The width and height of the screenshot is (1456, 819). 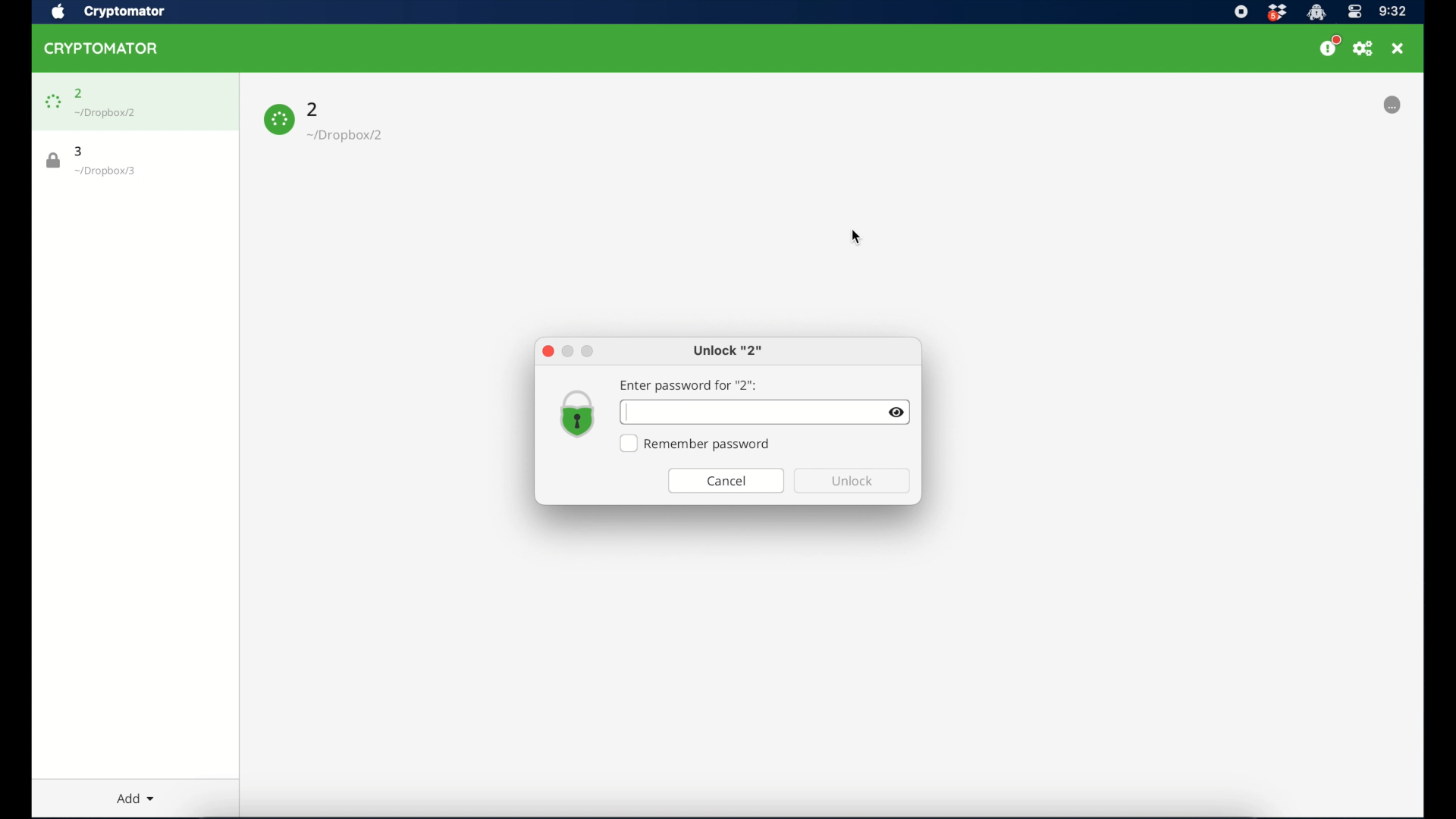 I want to click on cancel, so click(x=726, y=482).